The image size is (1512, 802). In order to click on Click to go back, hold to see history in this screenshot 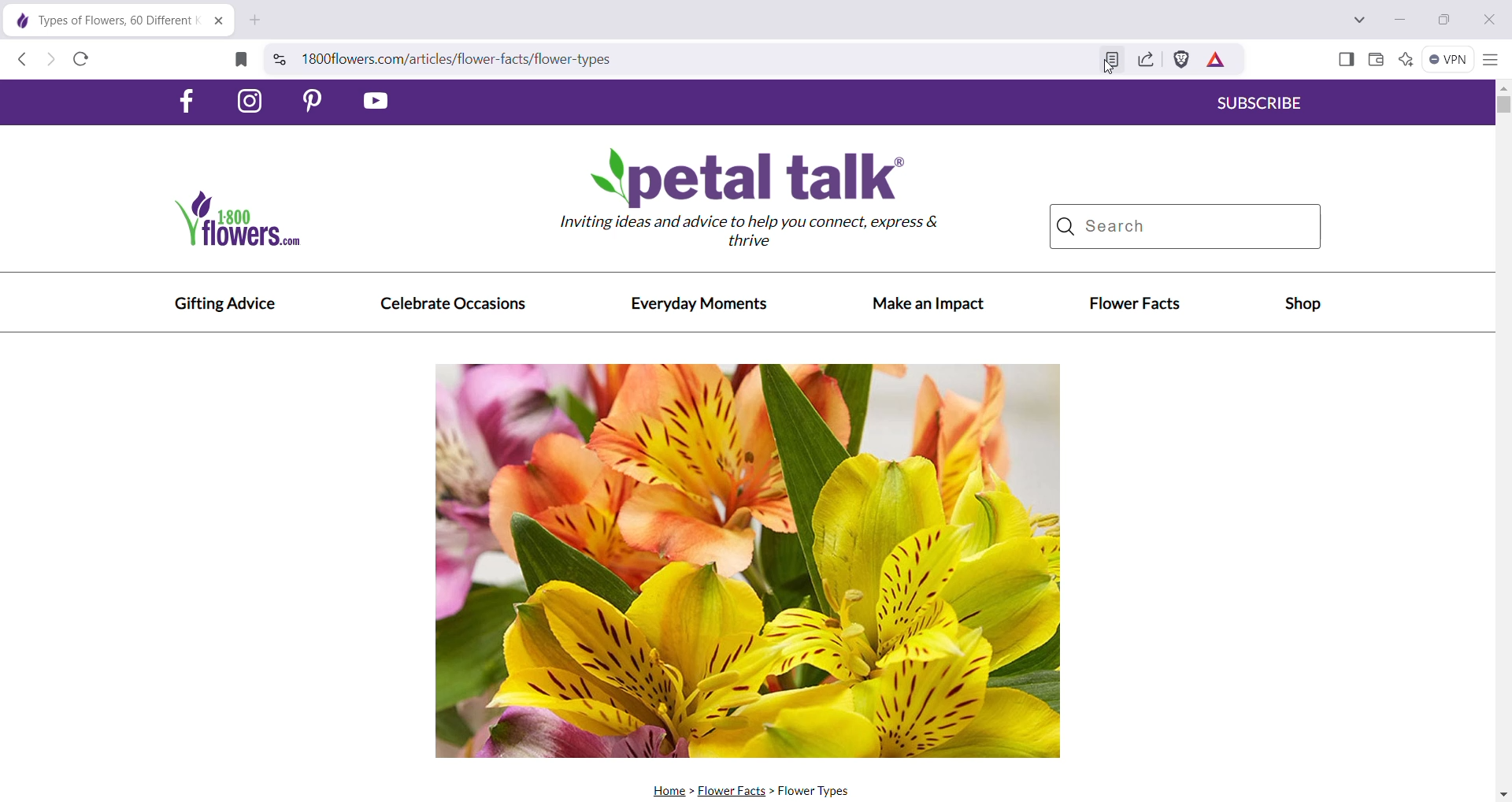, I will do `click(20, 61)`.